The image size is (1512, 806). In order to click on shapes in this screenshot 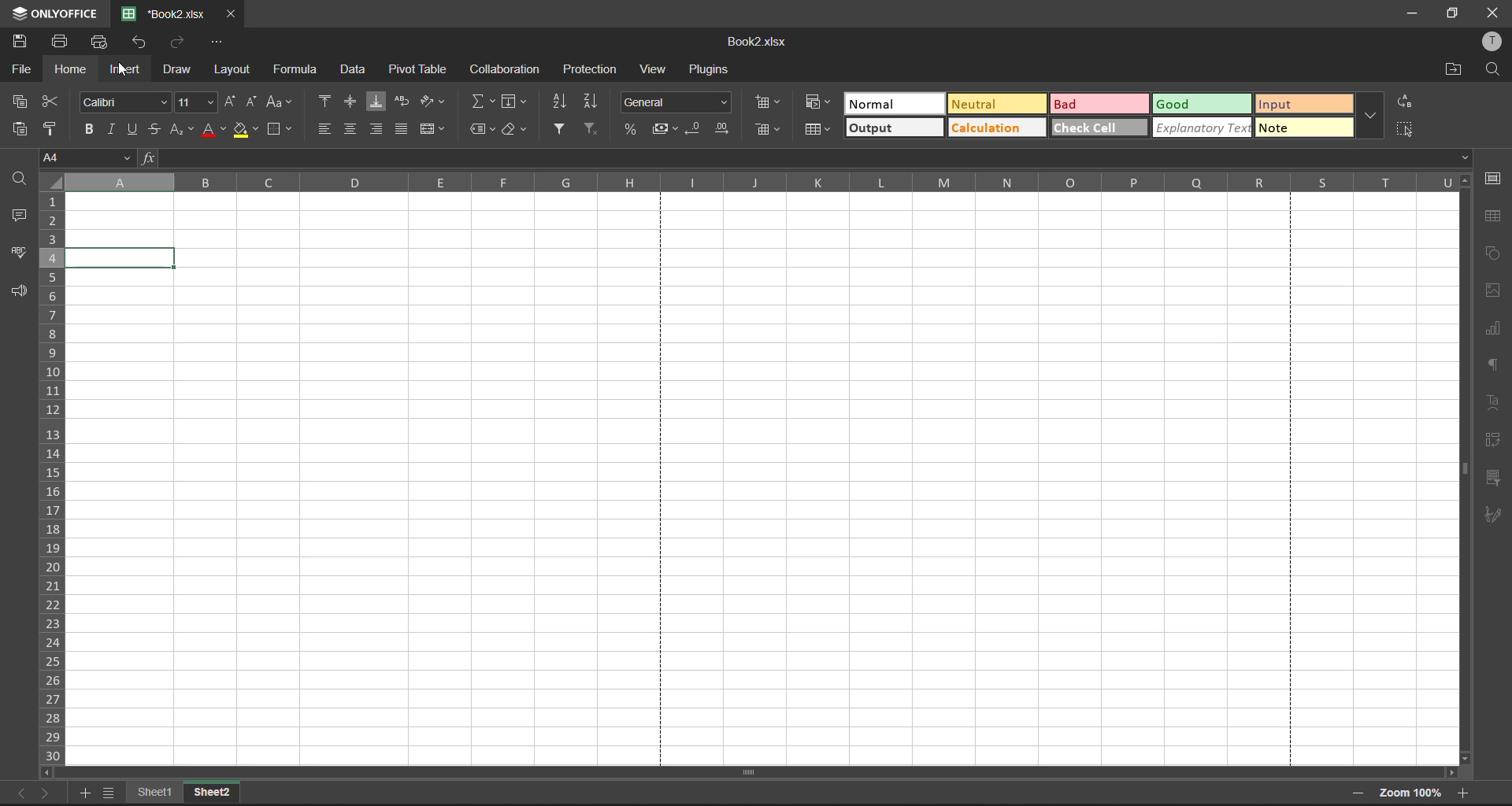, I will do `click(1492, 253)`.